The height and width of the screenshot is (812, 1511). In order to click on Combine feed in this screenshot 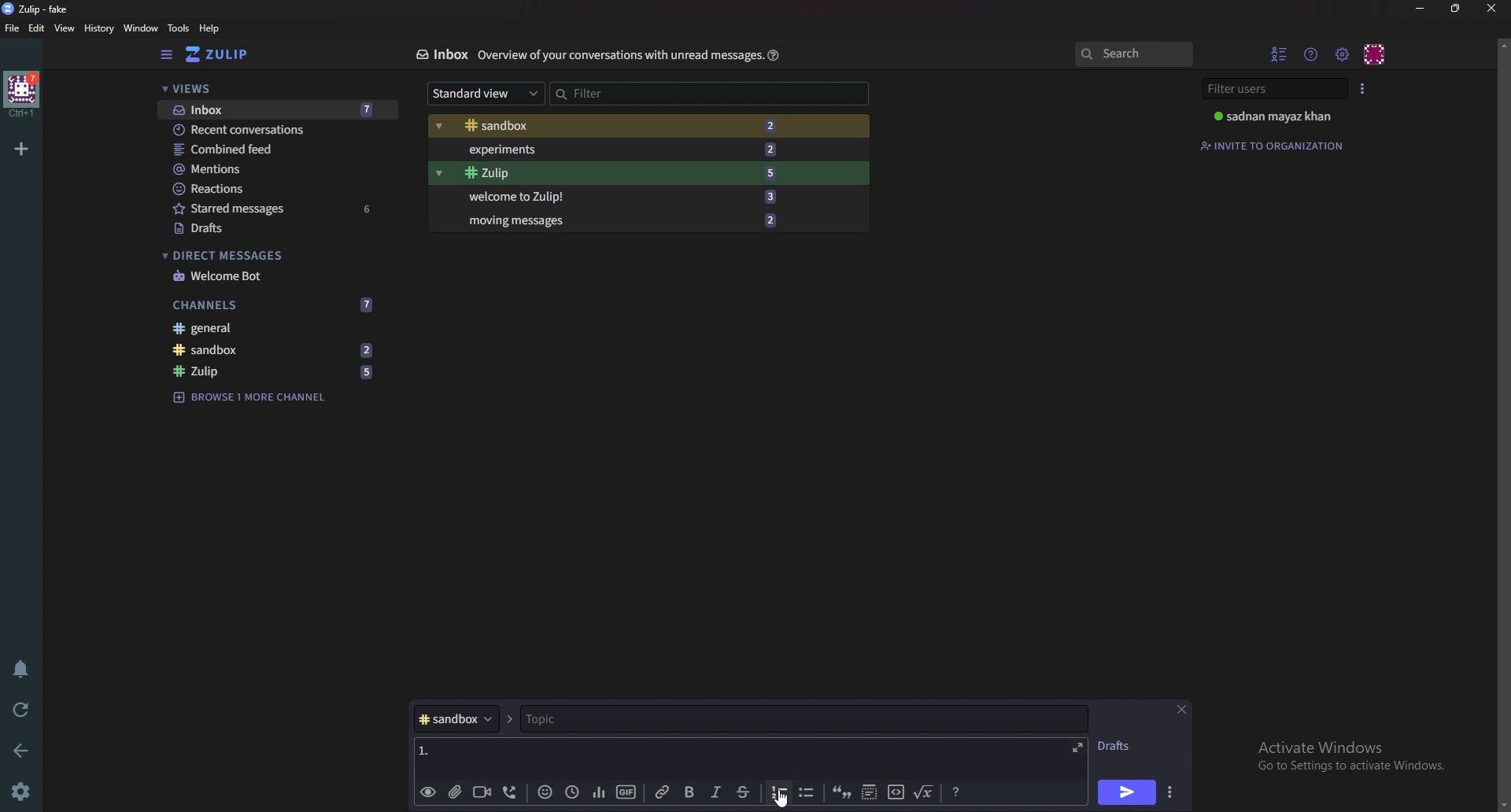, I will do `click(279, 149)`.